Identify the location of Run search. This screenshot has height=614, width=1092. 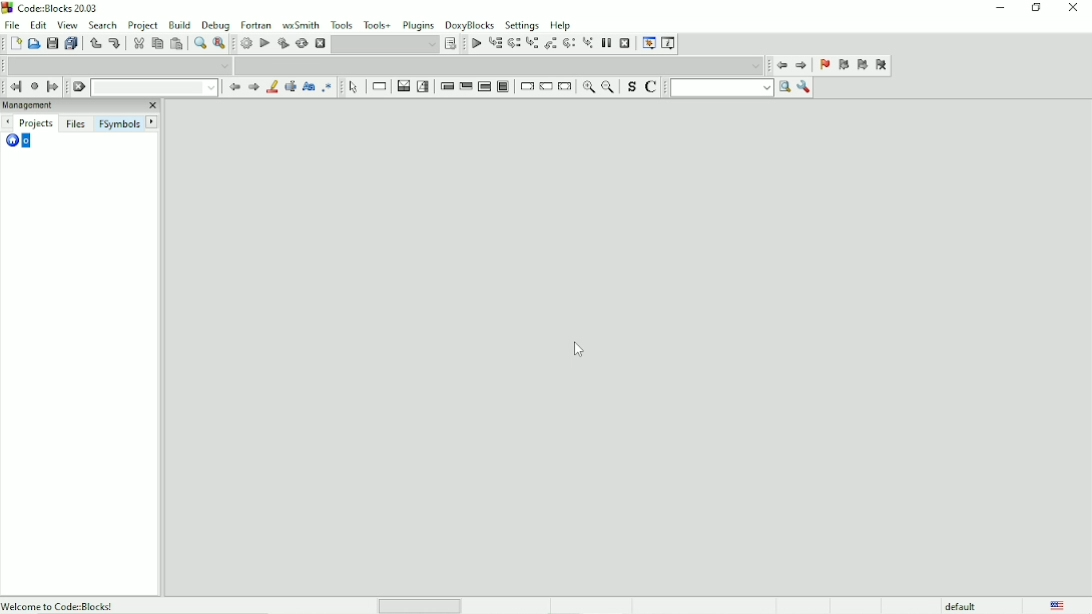
(730, 87).